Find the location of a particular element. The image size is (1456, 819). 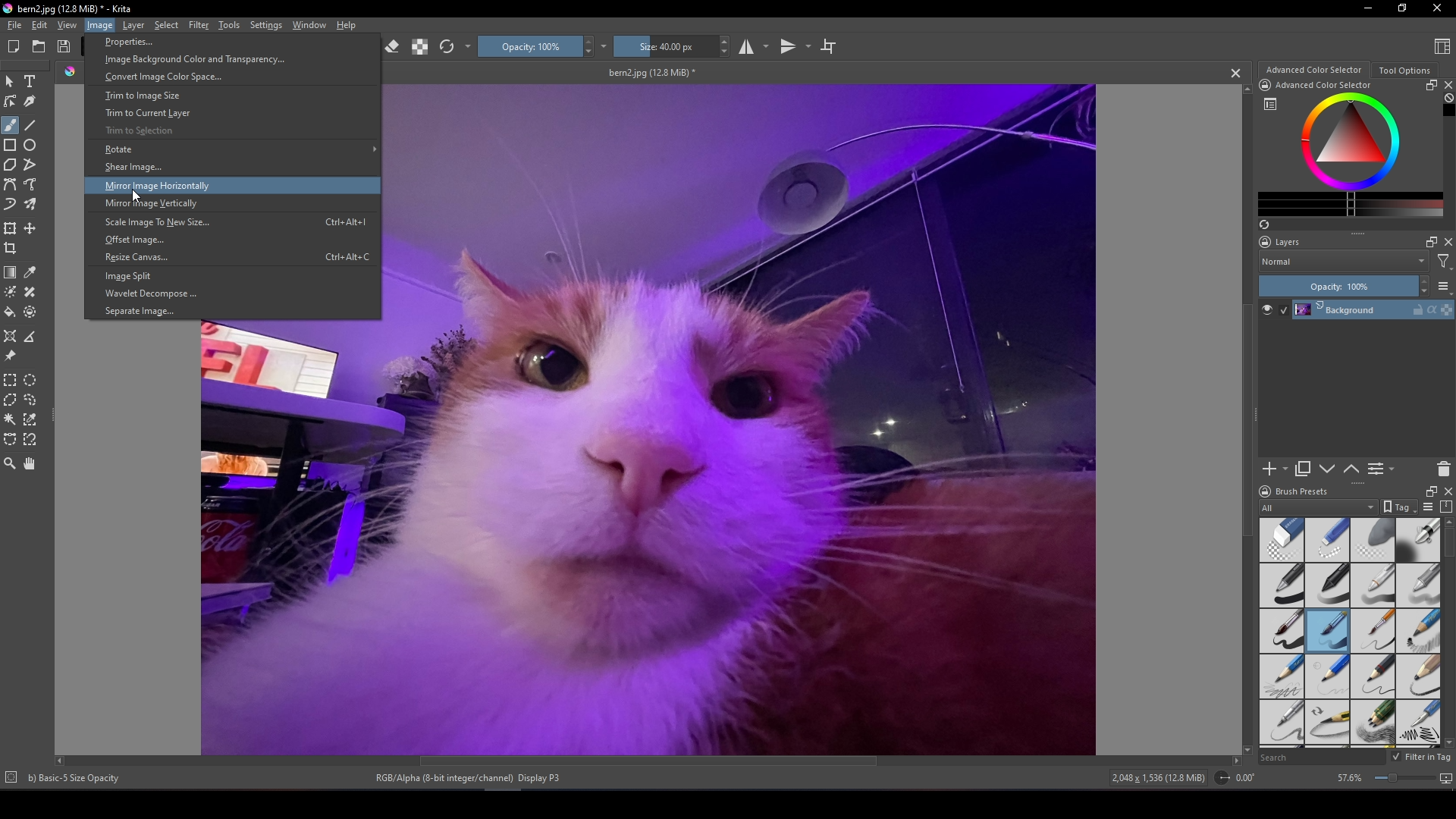

Layer visibility is located at coordinates (1276, 309).